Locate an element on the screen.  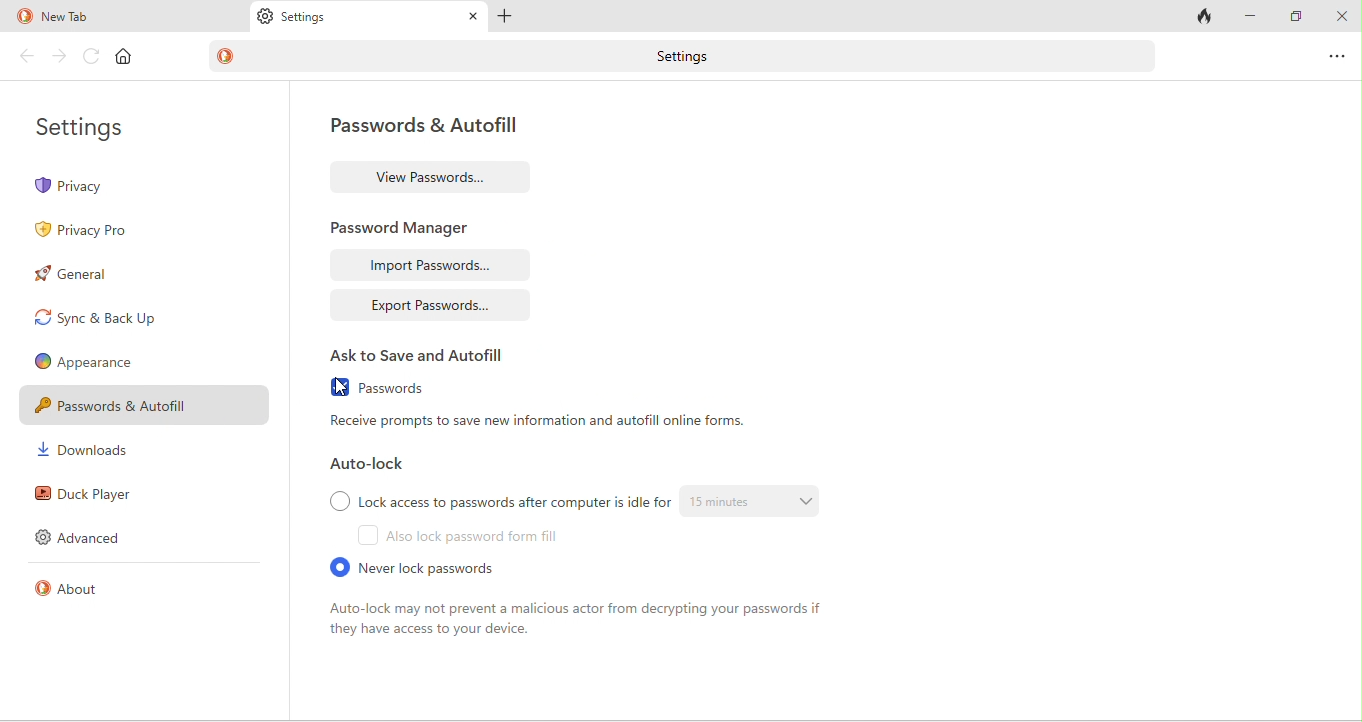
downloads is located at coordinates (88, 452).